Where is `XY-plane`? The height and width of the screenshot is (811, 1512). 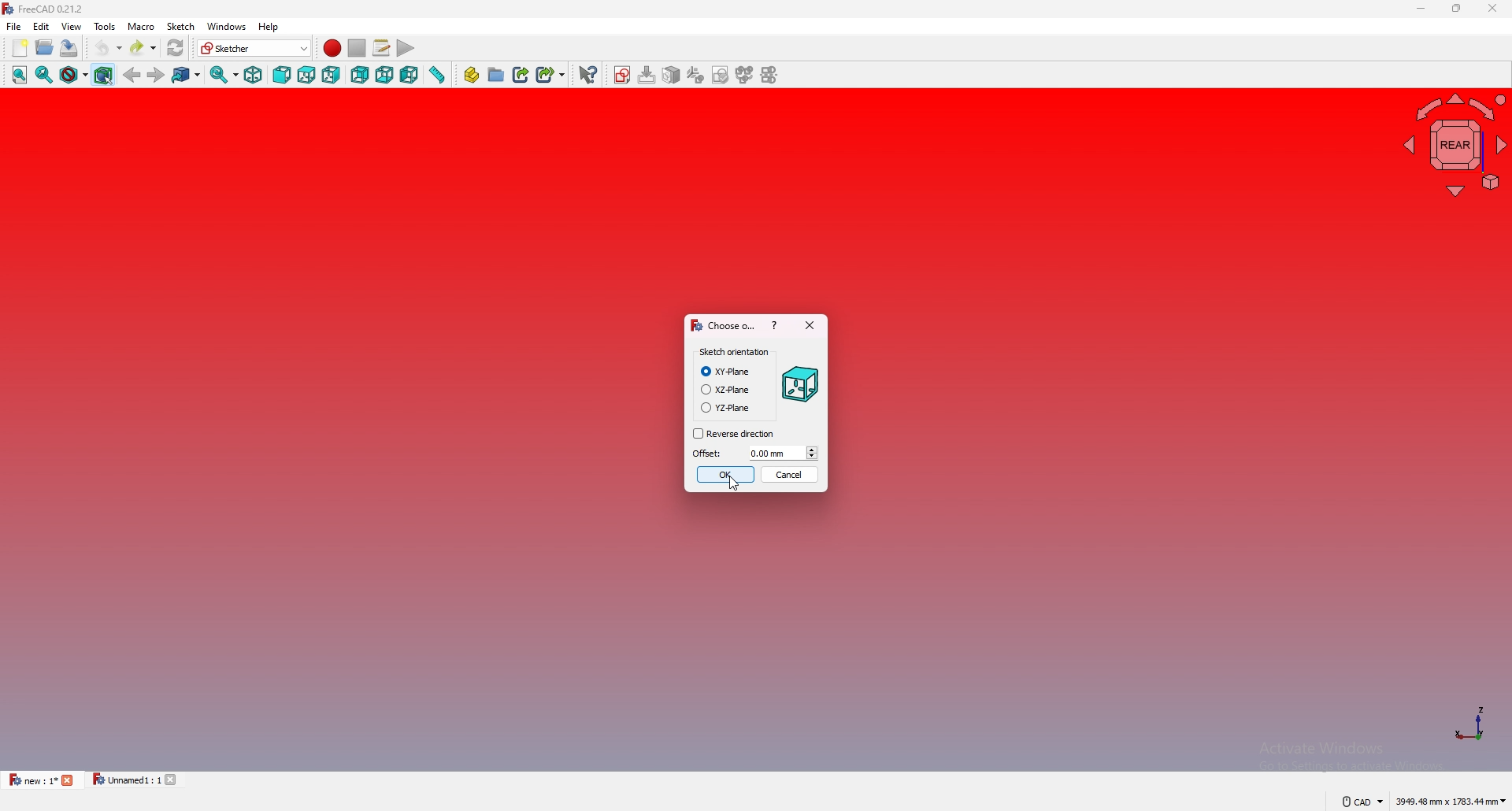 XY-plane is located at coordinates (727, 372).